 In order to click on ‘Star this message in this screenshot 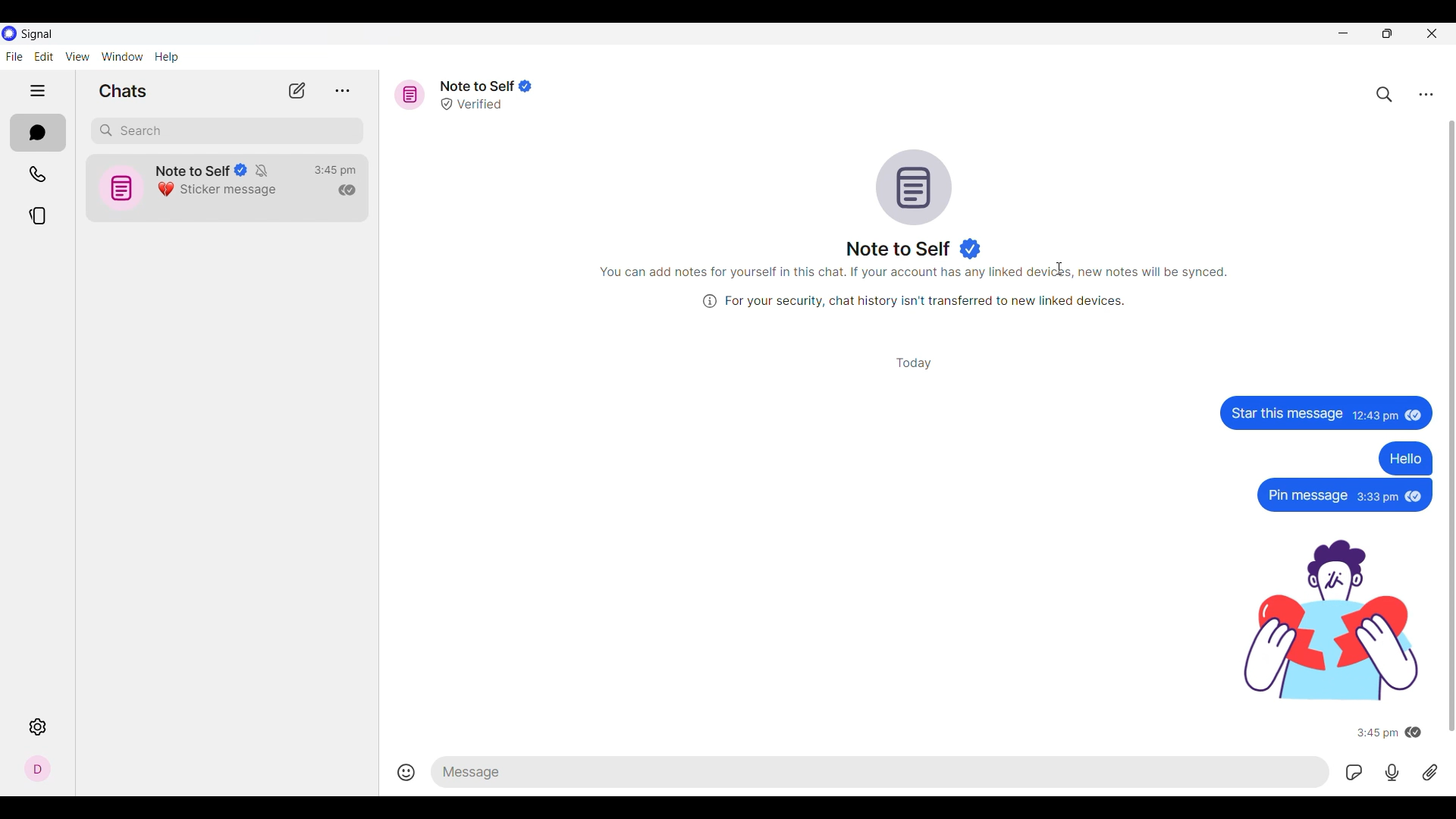, I will do `click(1288, 415)`.